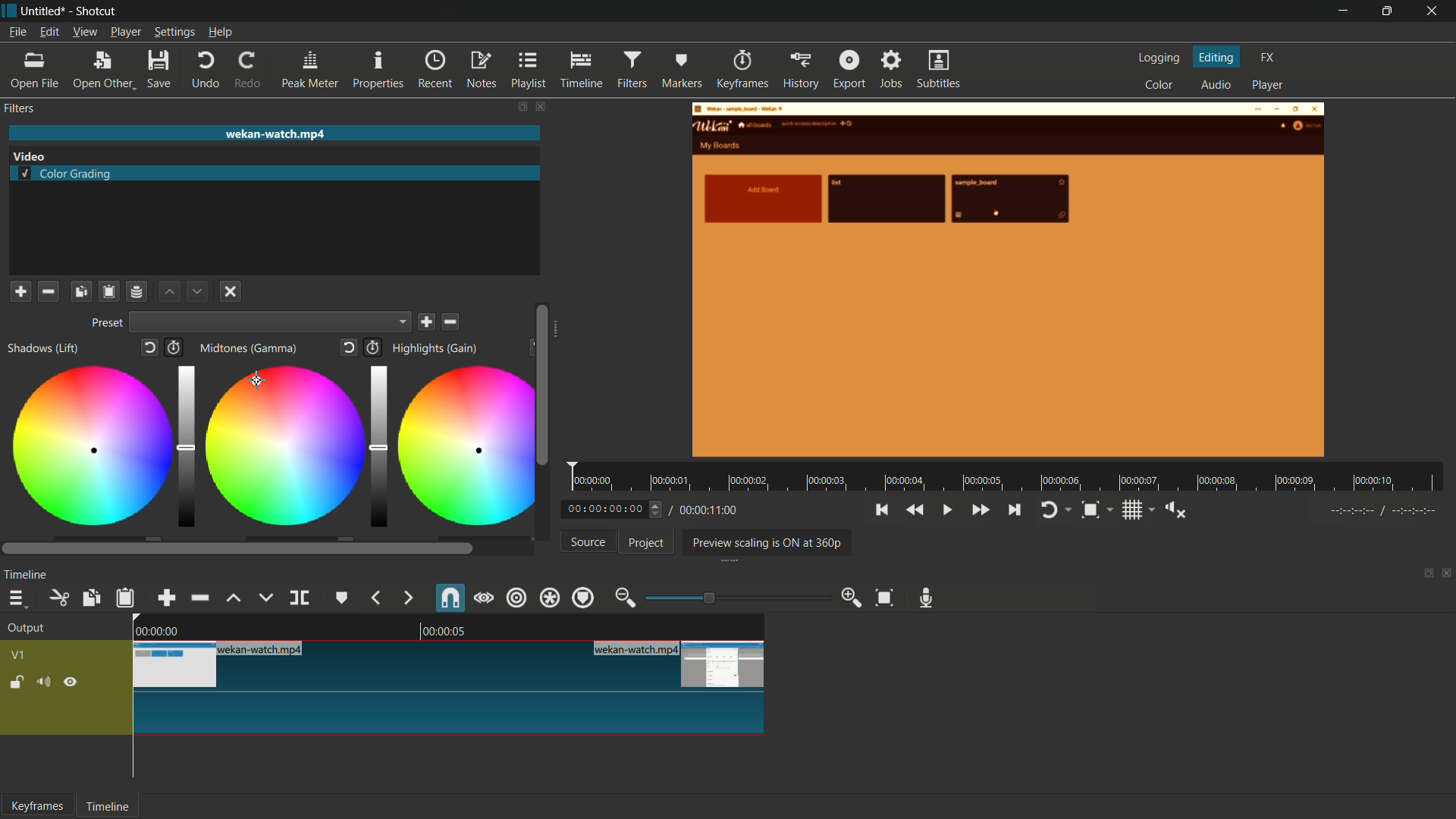 Image resolution: width=1456 pixels, height=819 pixels. What do you see at coordinates (740, 70) in the screenshot?
I see `keyframes` at bounding box center [740, 70].